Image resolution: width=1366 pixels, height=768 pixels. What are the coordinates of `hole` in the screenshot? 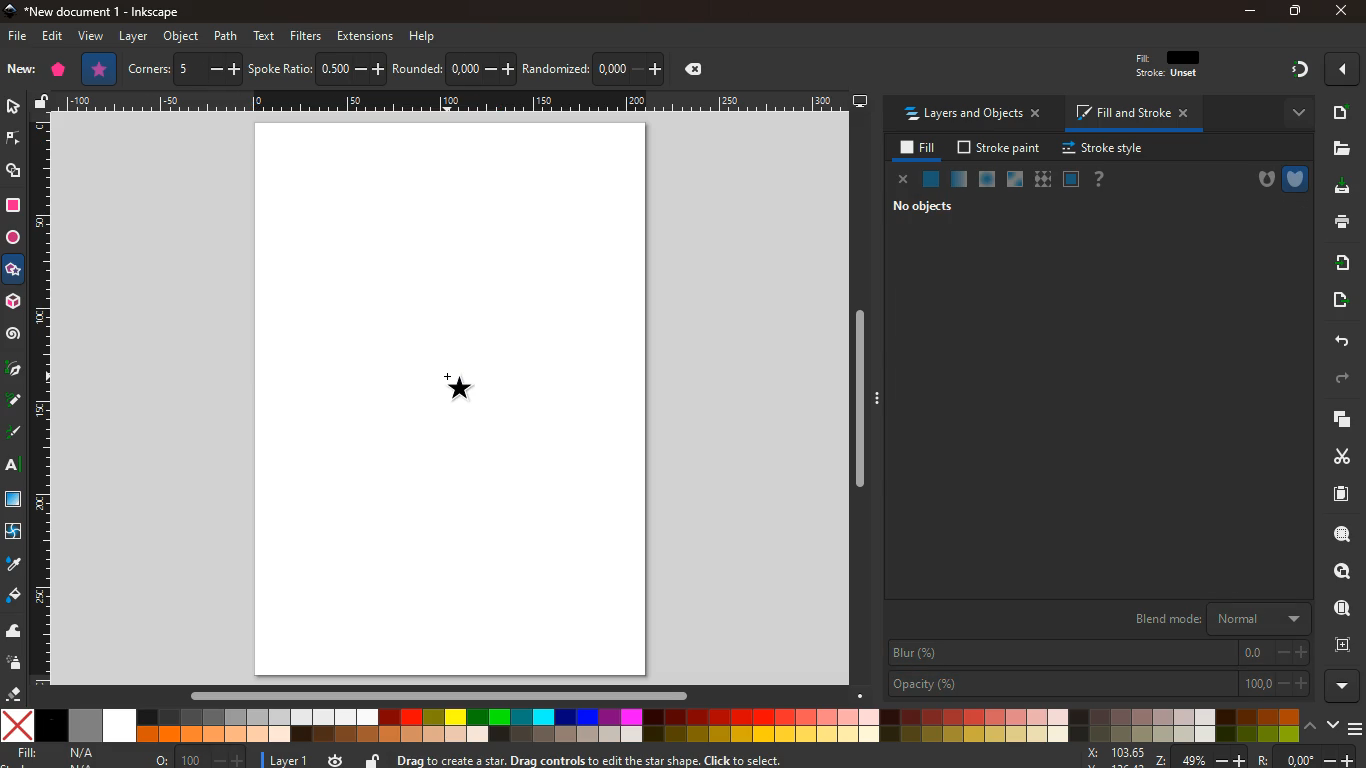 It's located at (1259, 180).